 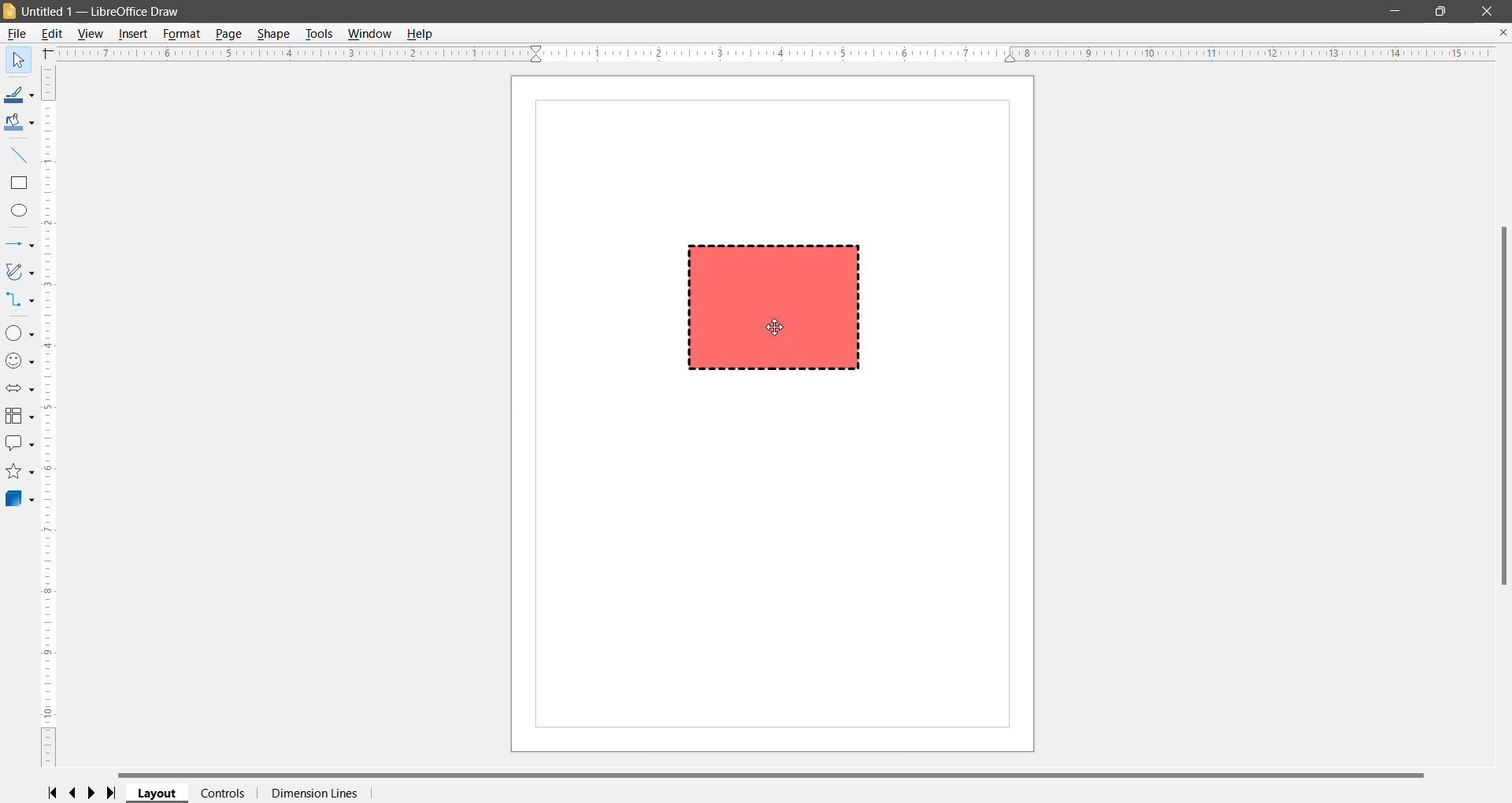 I want to click on Insert, so click(x=135, y=33).